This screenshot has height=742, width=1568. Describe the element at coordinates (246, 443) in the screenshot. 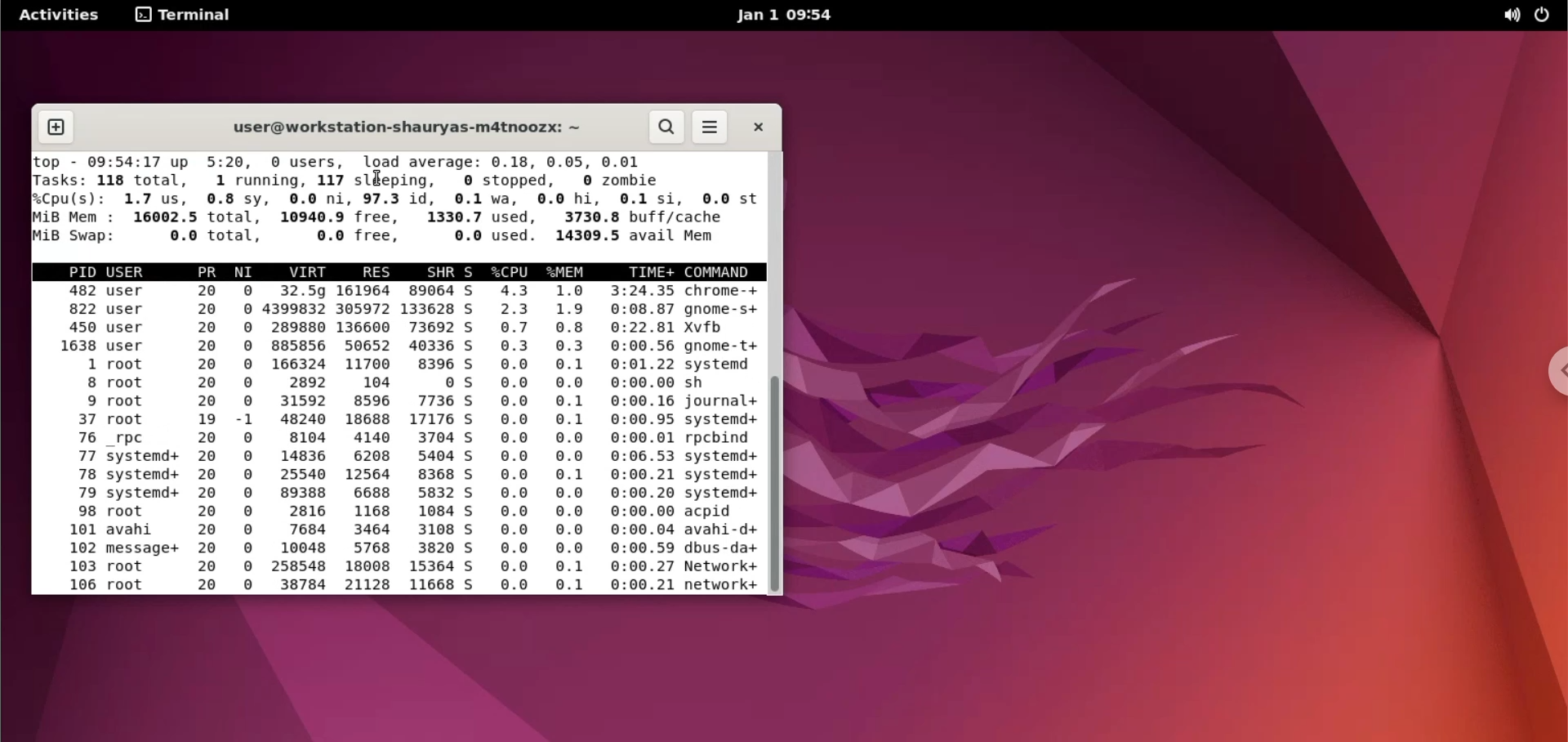

I see `NI` at that location.